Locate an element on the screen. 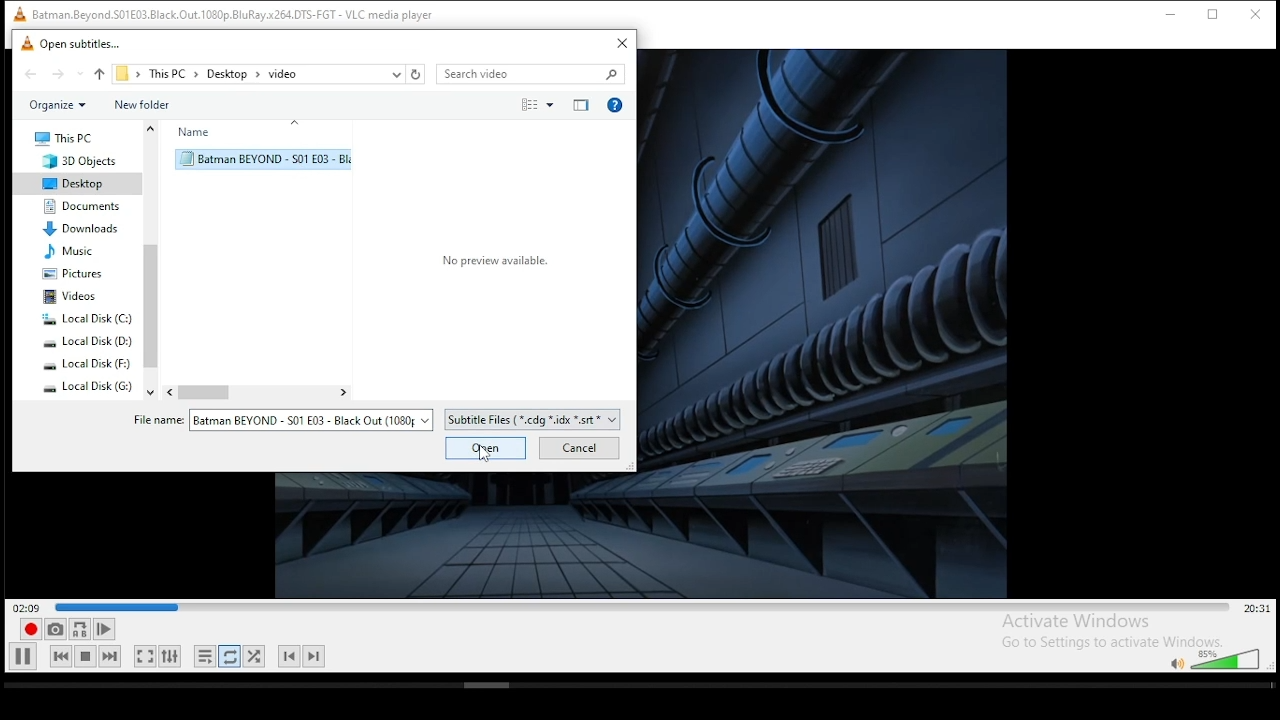 This screenshot has width=1280, height=720. this PC is located at coordinates (167, 72).